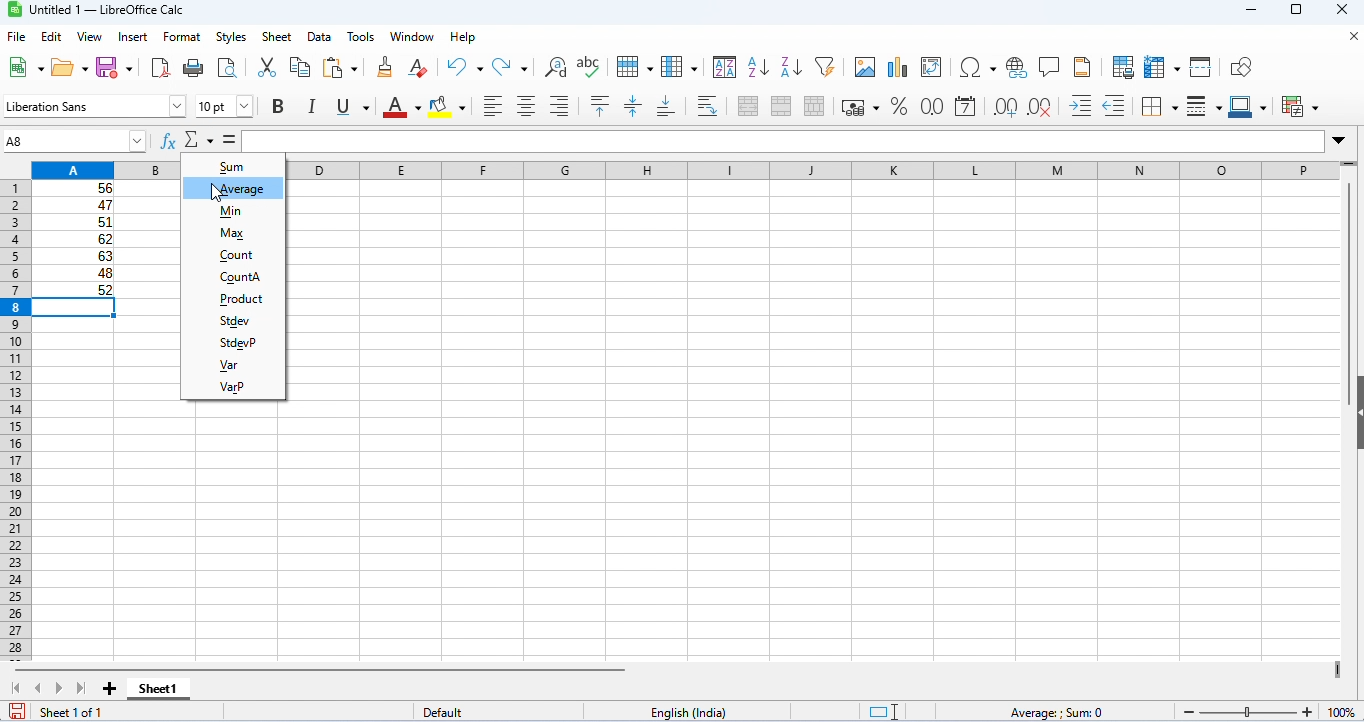 The height and width of the screenshot is (722, 1364). What do you see at coordinates (1204, 107) in the screenshot?
I see `border style` at bounding box center [1204, 107].